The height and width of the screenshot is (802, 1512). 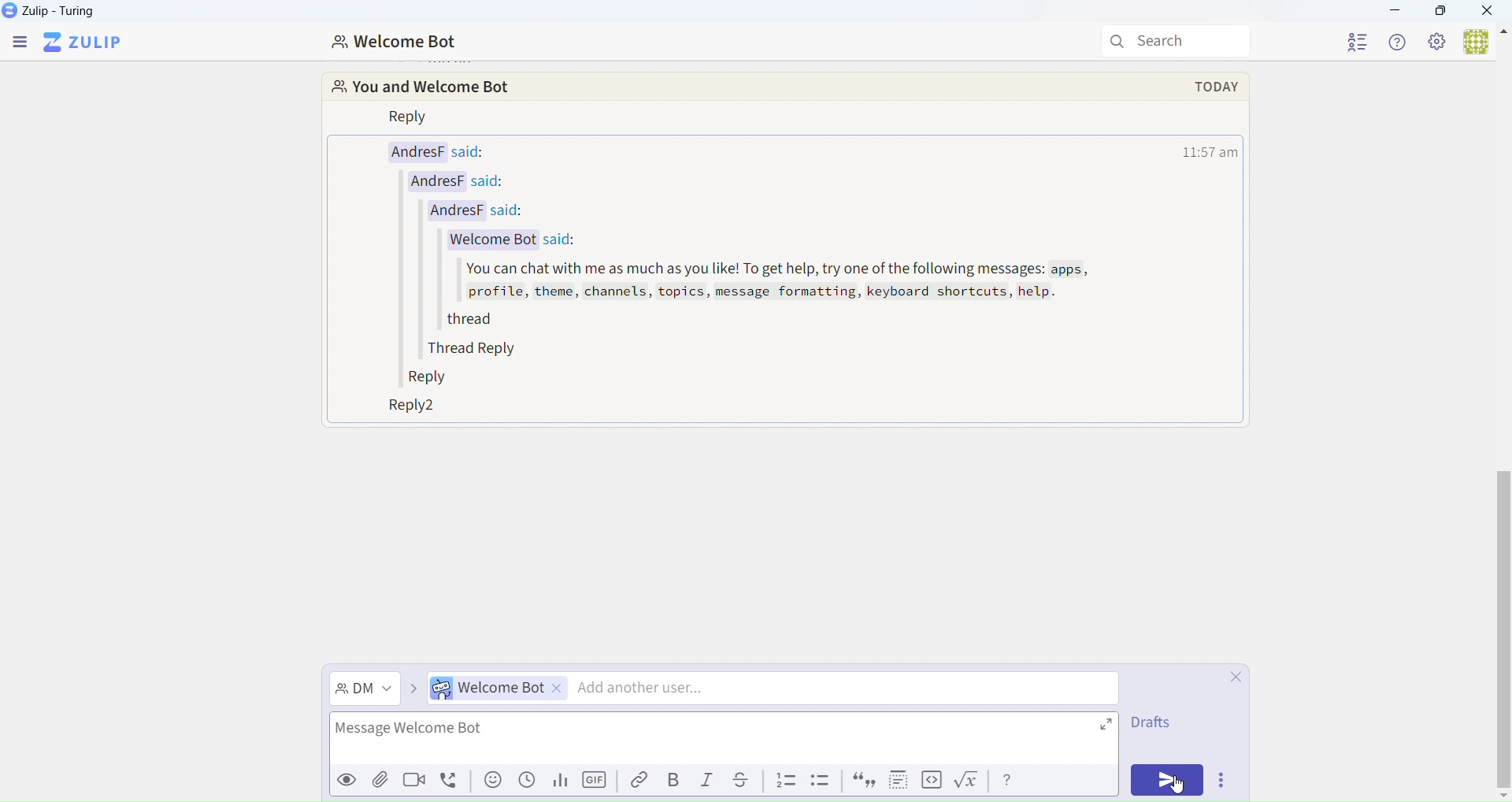 What do you see at coordinates (1180, 784) in the screenshot?
I see `cursor` at bounding box center [1180, 784].